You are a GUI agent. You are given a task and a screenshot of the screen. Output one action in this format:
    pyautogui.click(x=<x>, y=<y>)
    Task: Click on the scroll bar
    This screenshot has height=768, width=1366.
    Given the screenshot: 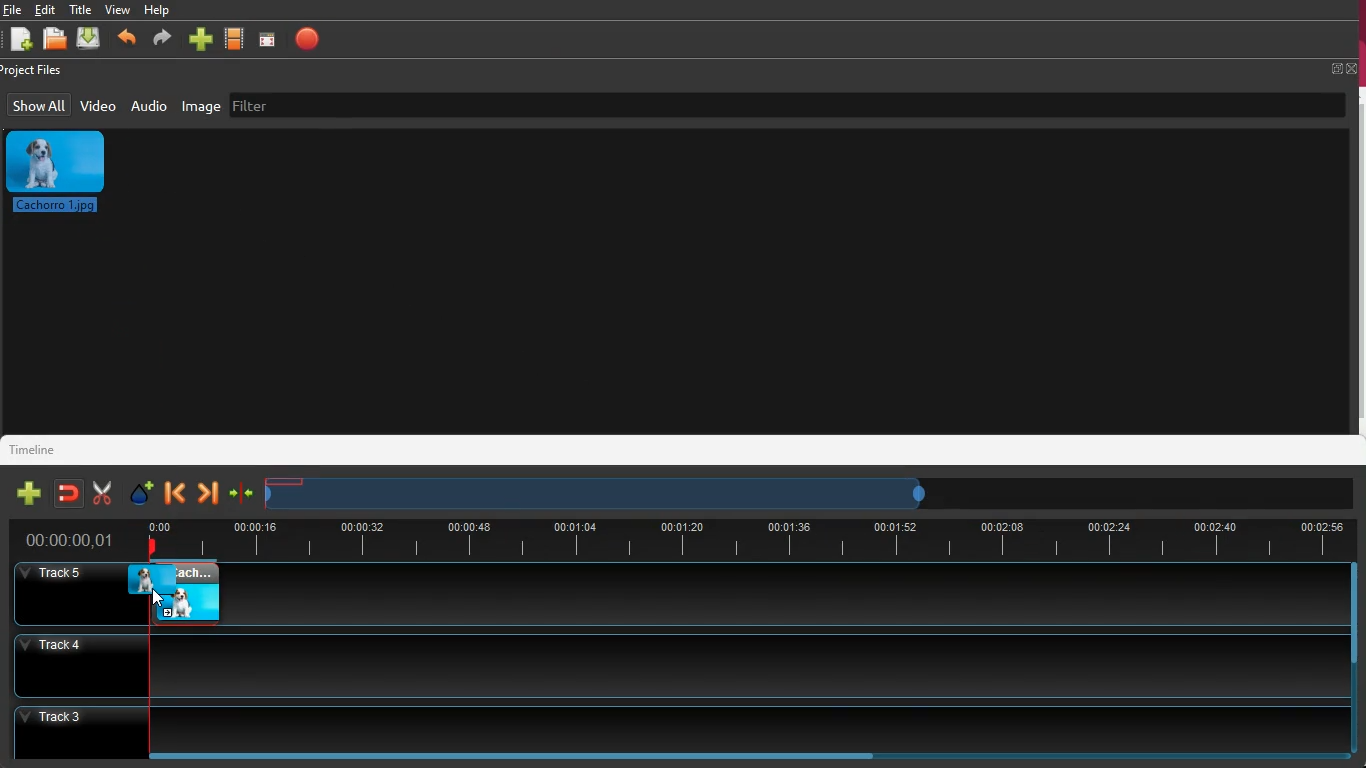 What is the action you would take?
    pyautogui.click(x=1350, y=615)
    